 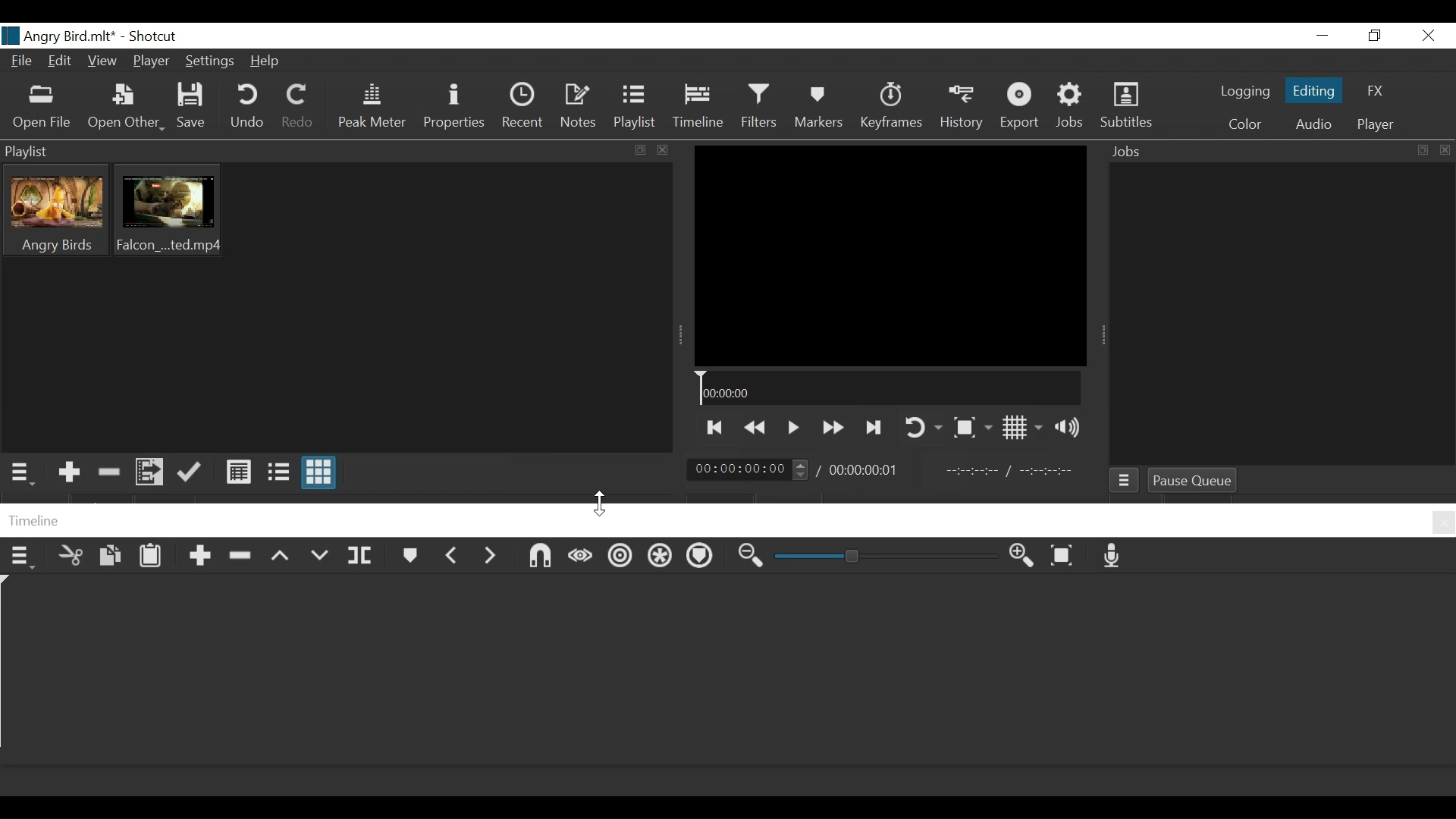 What do you see at coordinates (408, 558) in the screenshot?
I see `Markers` at bounding box center [408, 558].